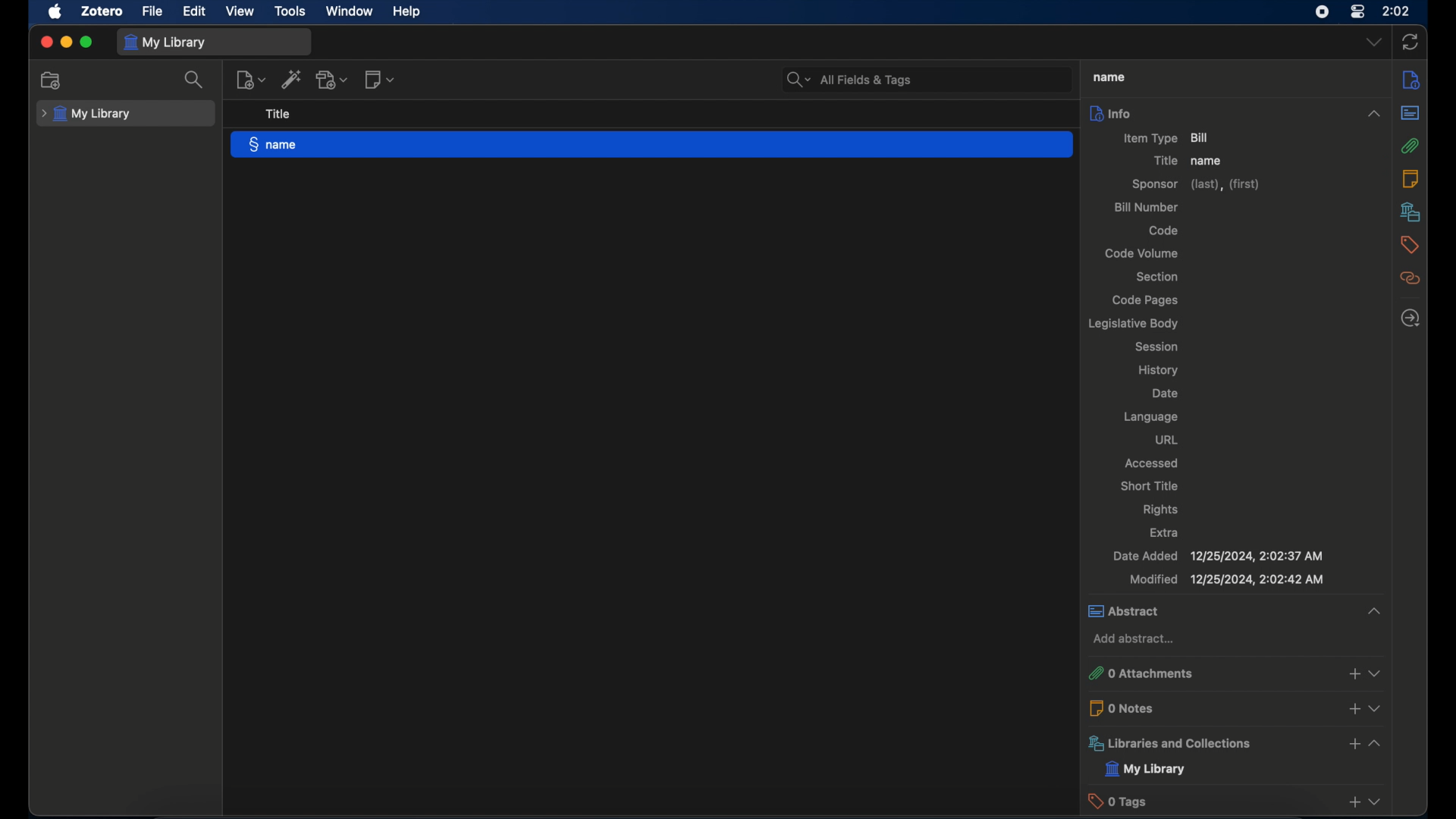  Describe the element at coordinates (194, 79) in the screenshot. I see `search` at that location.